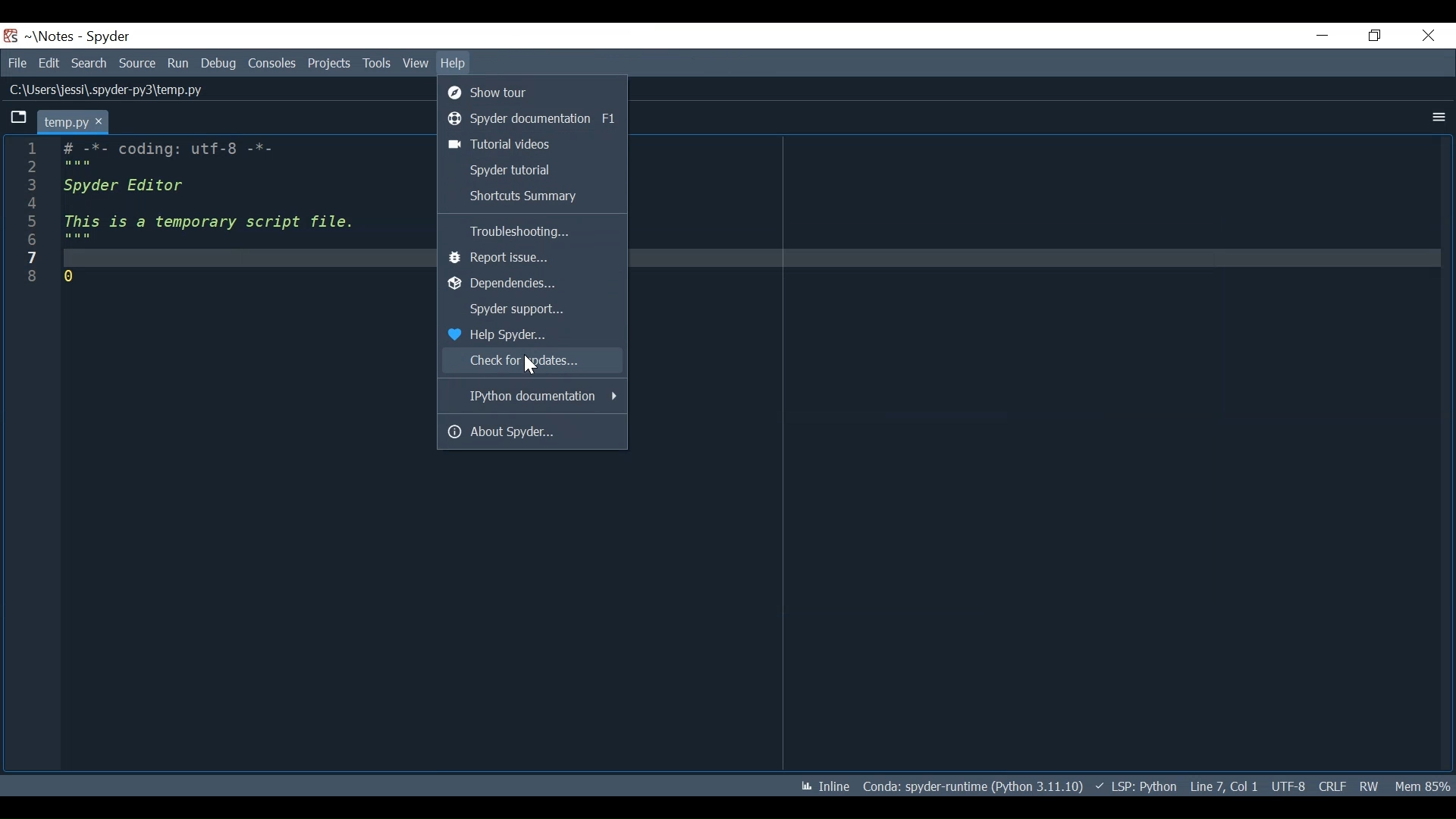  Describe the element at coordinates (329, 63) in the screenshot. I see `Projects` at that location.